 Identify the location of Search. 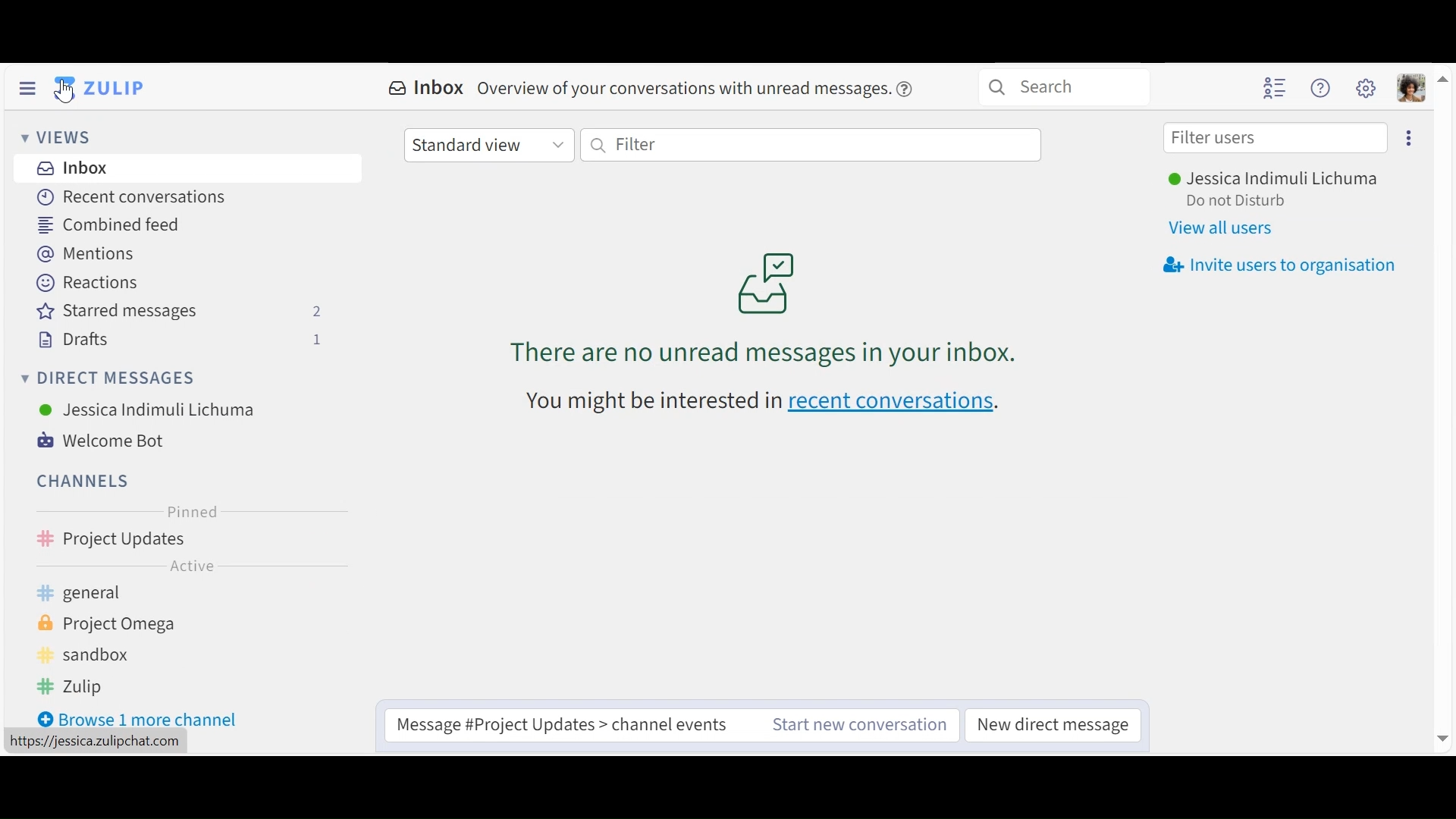
(1068, 88).